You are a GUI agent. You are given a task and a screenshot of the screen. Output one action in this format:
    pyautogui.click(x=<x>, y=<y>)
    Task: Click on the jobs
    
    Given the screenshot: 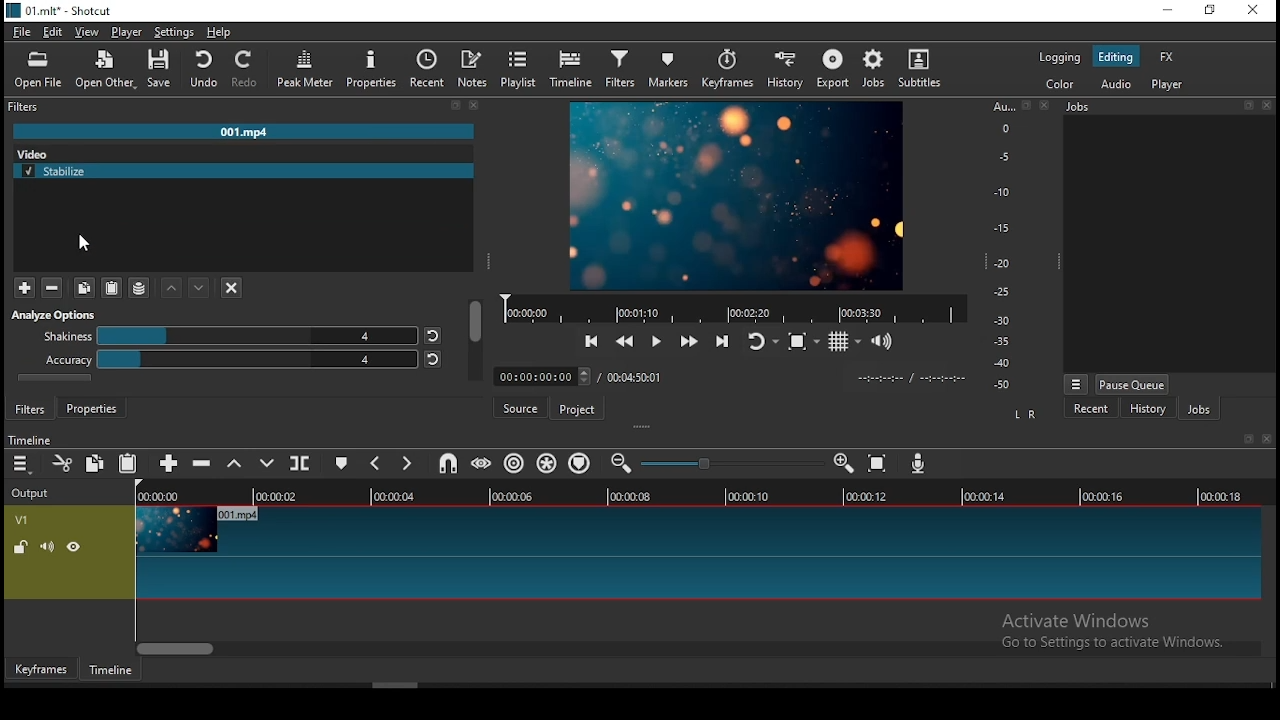 What is the action you would take?
    pyautogui.click(x=1196, y=408)
    